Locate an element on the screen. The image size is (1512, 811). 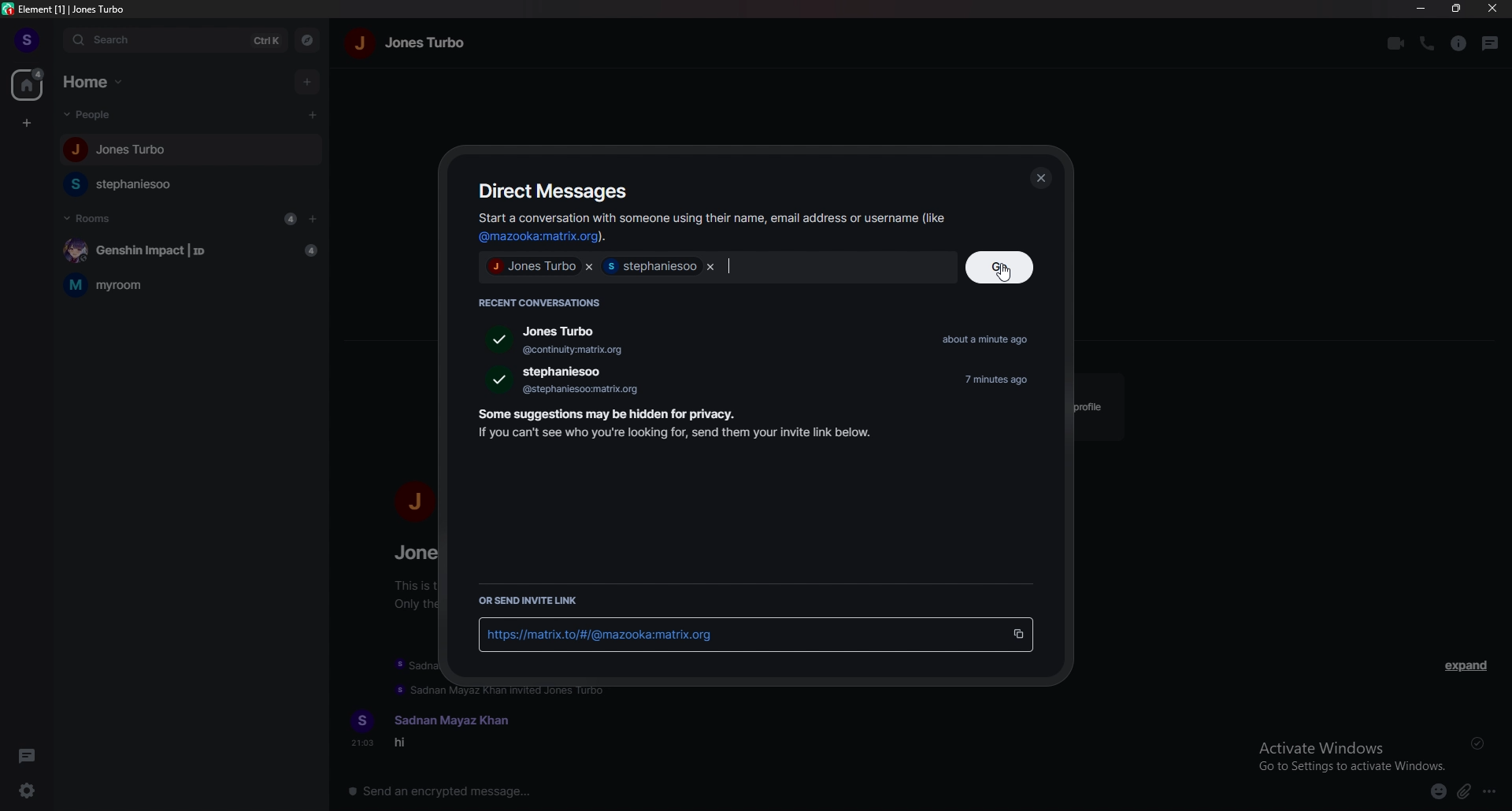
remove is located at coordinates (589, 266).